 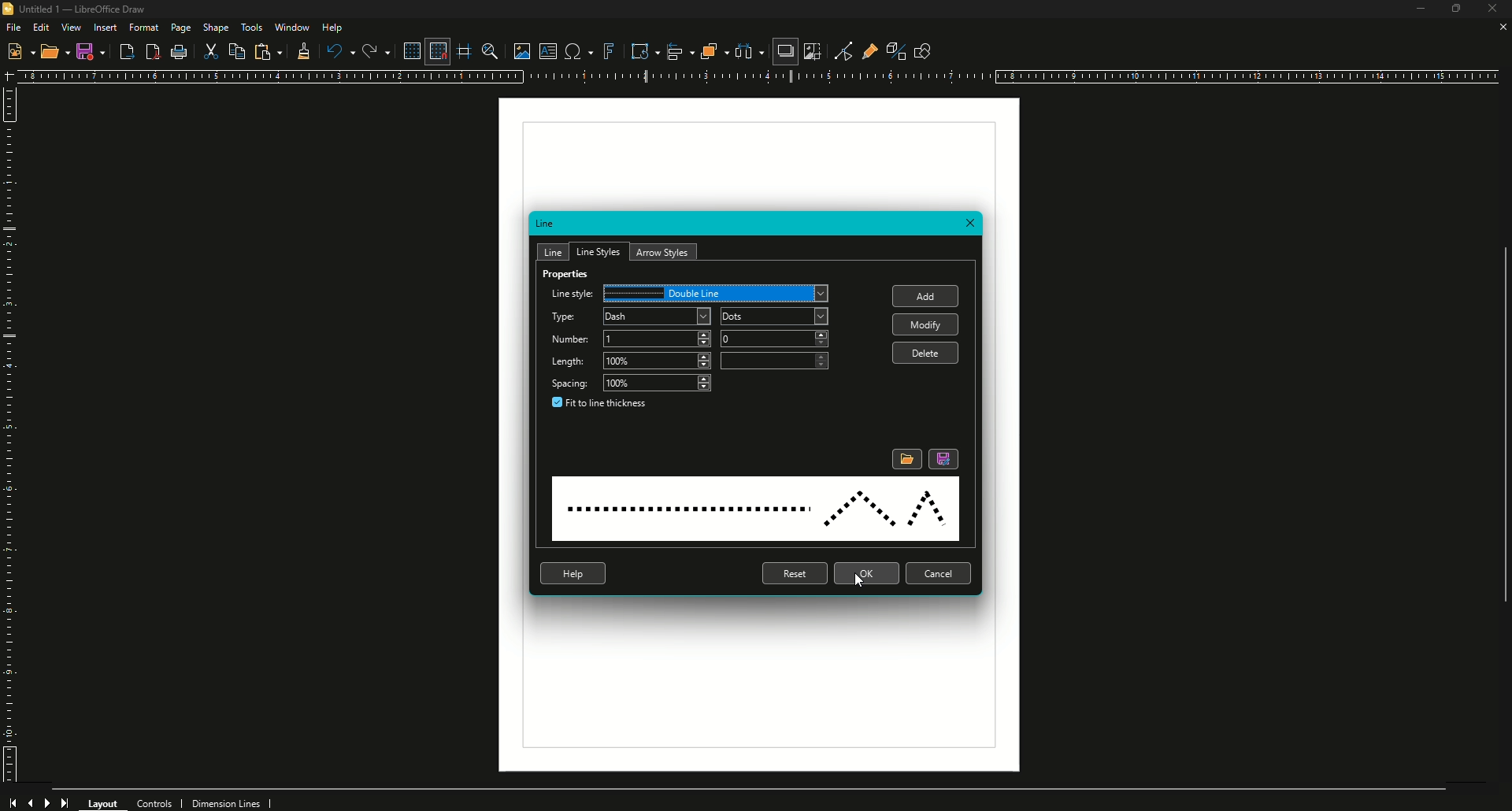 What do you see at coordinates (554, 250) in the screenshot?
I see `Line` at bounding box center [554, 250].